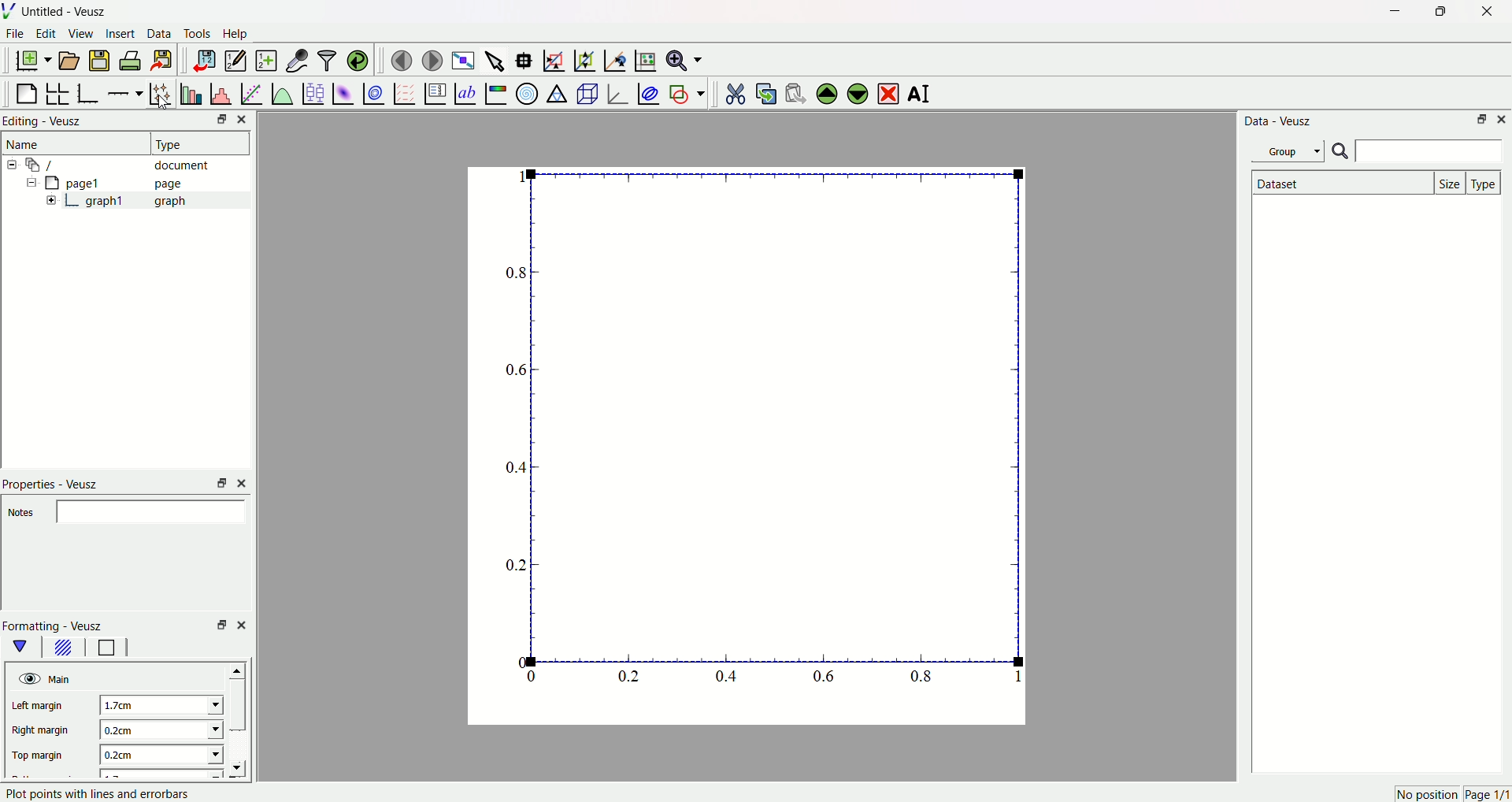 This screenshot has width=1512, height=802. Describe the element at coordinates (244, 768) in the screenshot. I see `move down` at that location.